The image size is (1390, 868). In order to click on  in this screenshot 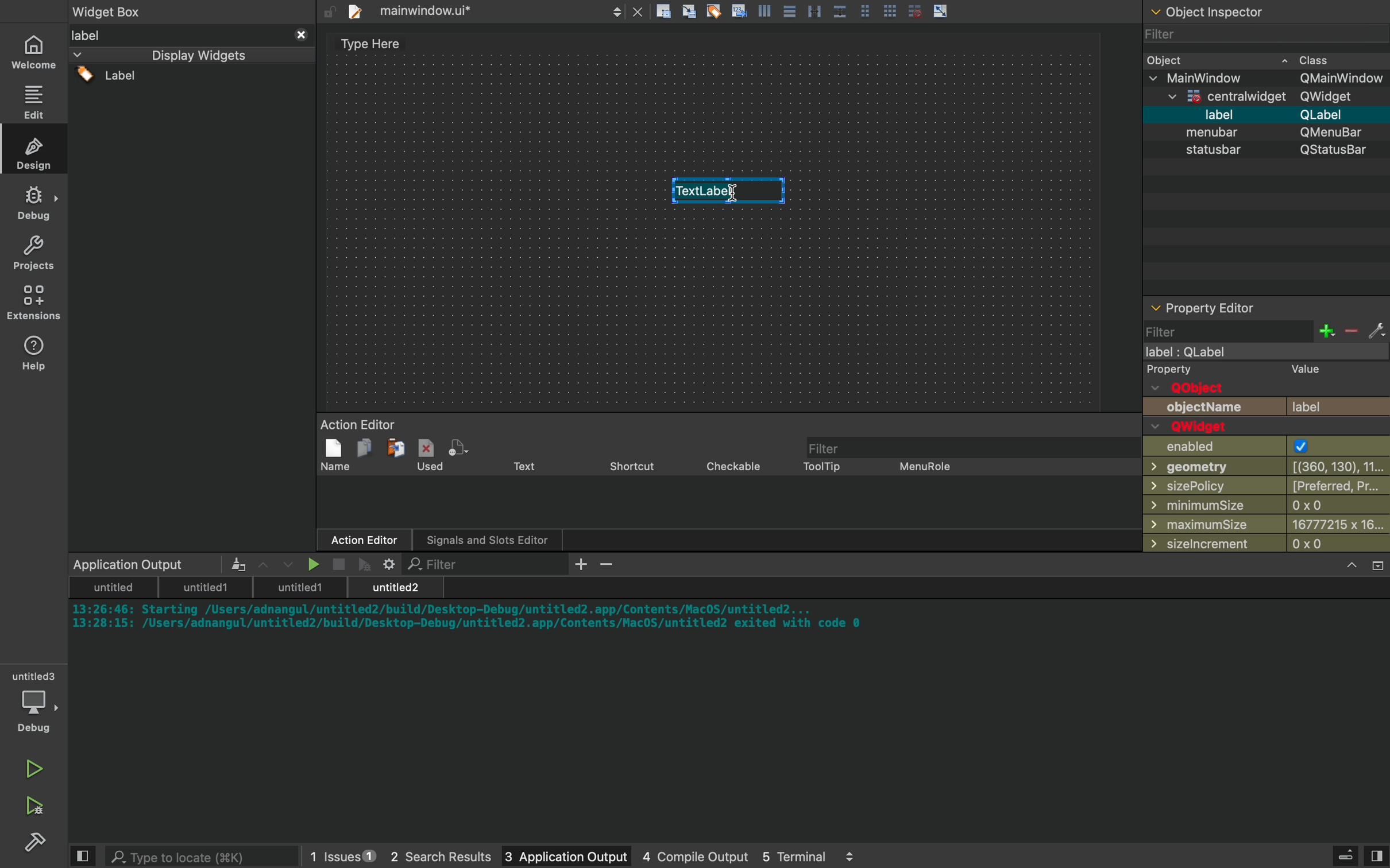, I will do `click(1264, 115)`.